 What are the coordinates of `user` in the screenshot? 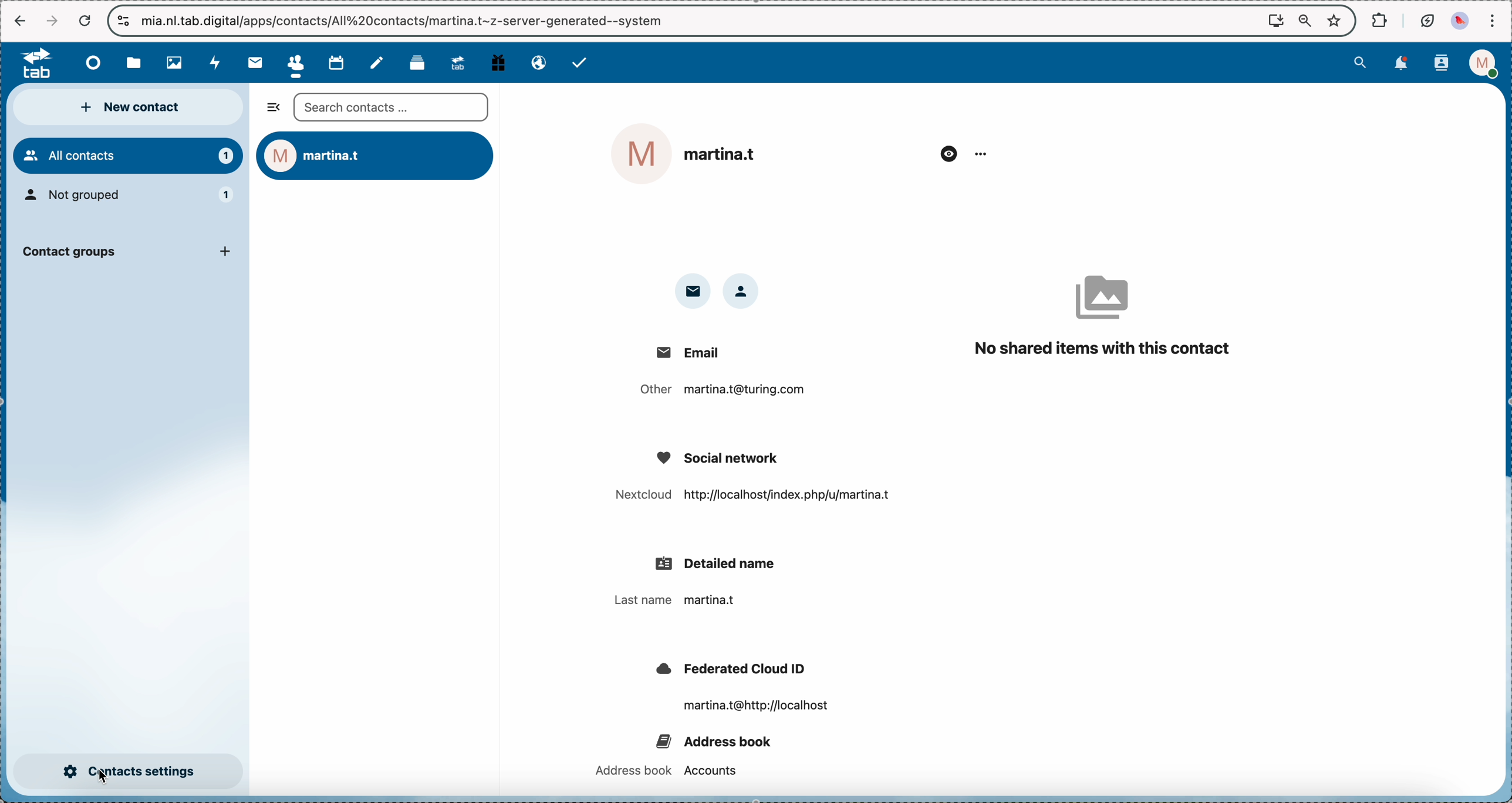 It's located at (378, 157).